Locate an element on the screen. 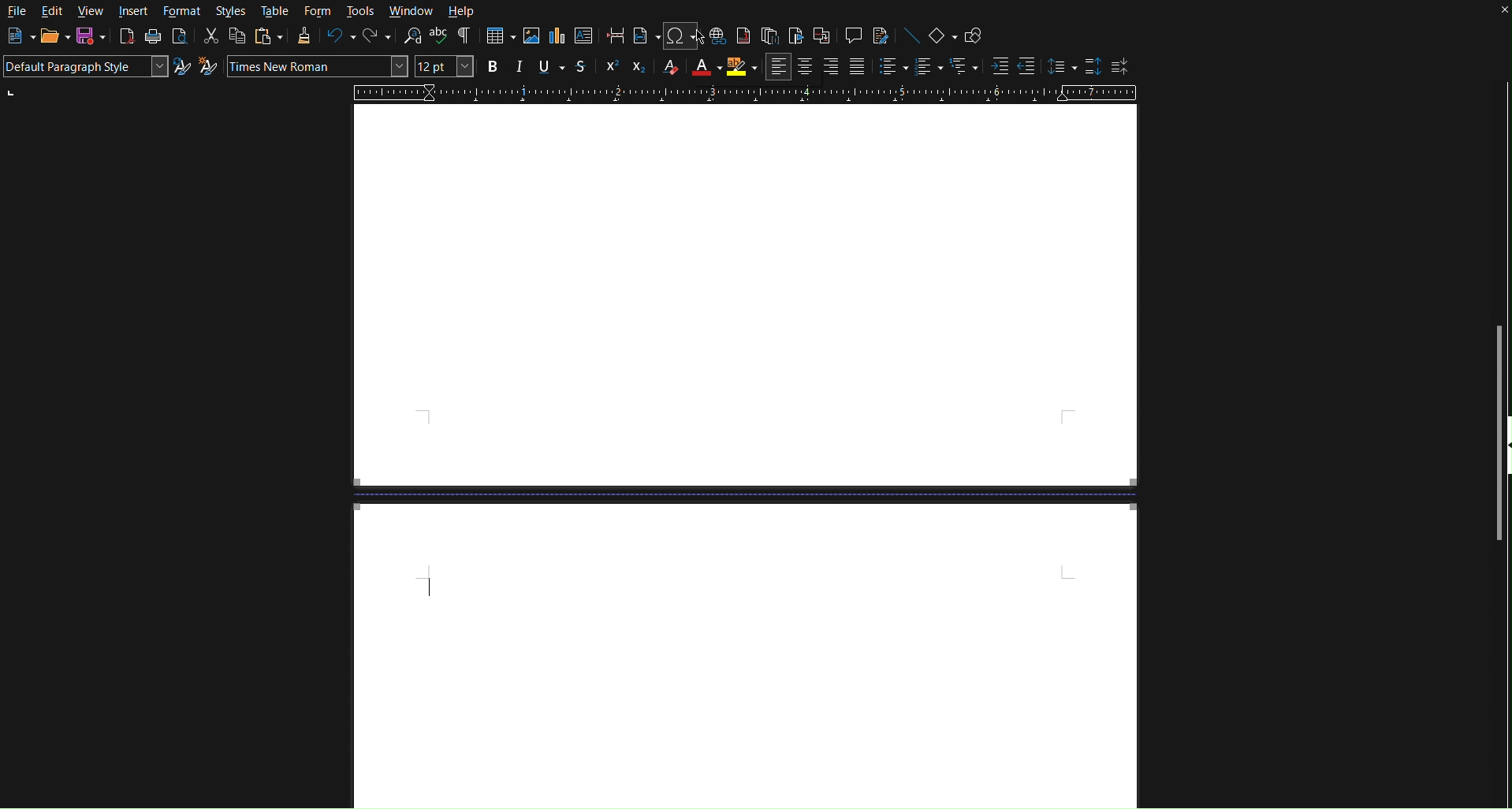 The image size is (1512, 809). Insert Cross Reference is located at coordinates (821, 35).